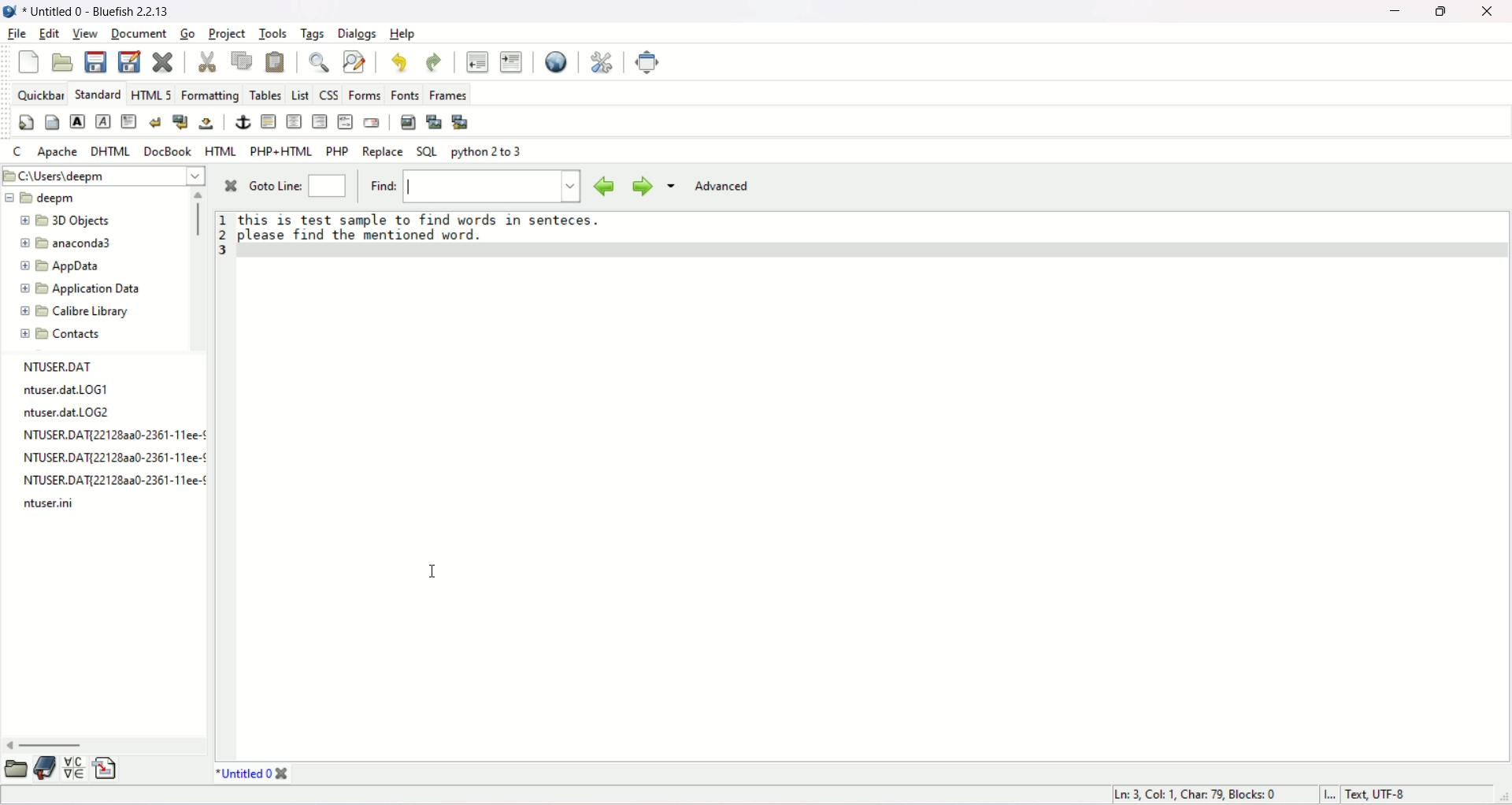  I want to click on undo, so click(399, 61).